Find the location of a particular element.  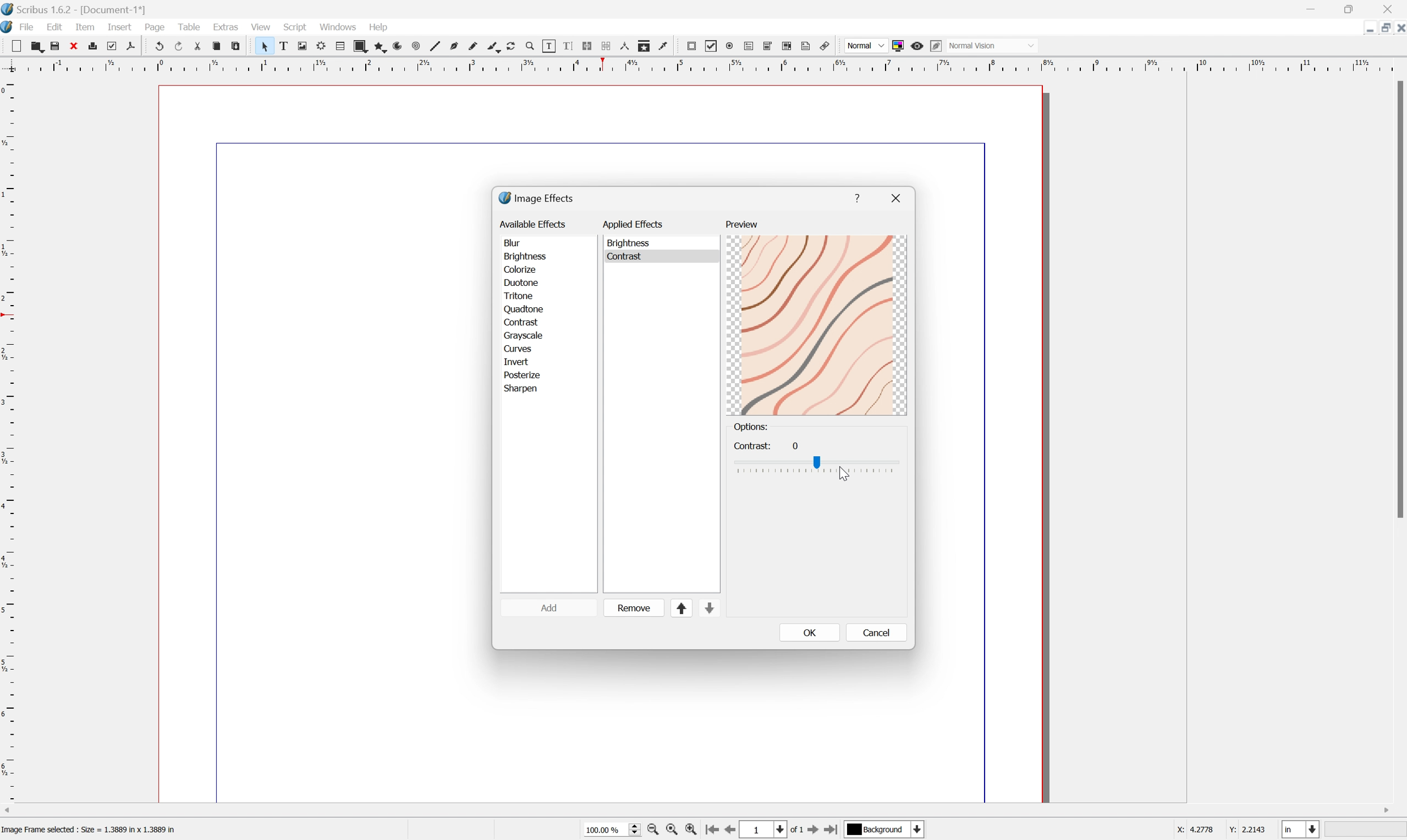

Calligraphic line is located at coordinates (496, 48).